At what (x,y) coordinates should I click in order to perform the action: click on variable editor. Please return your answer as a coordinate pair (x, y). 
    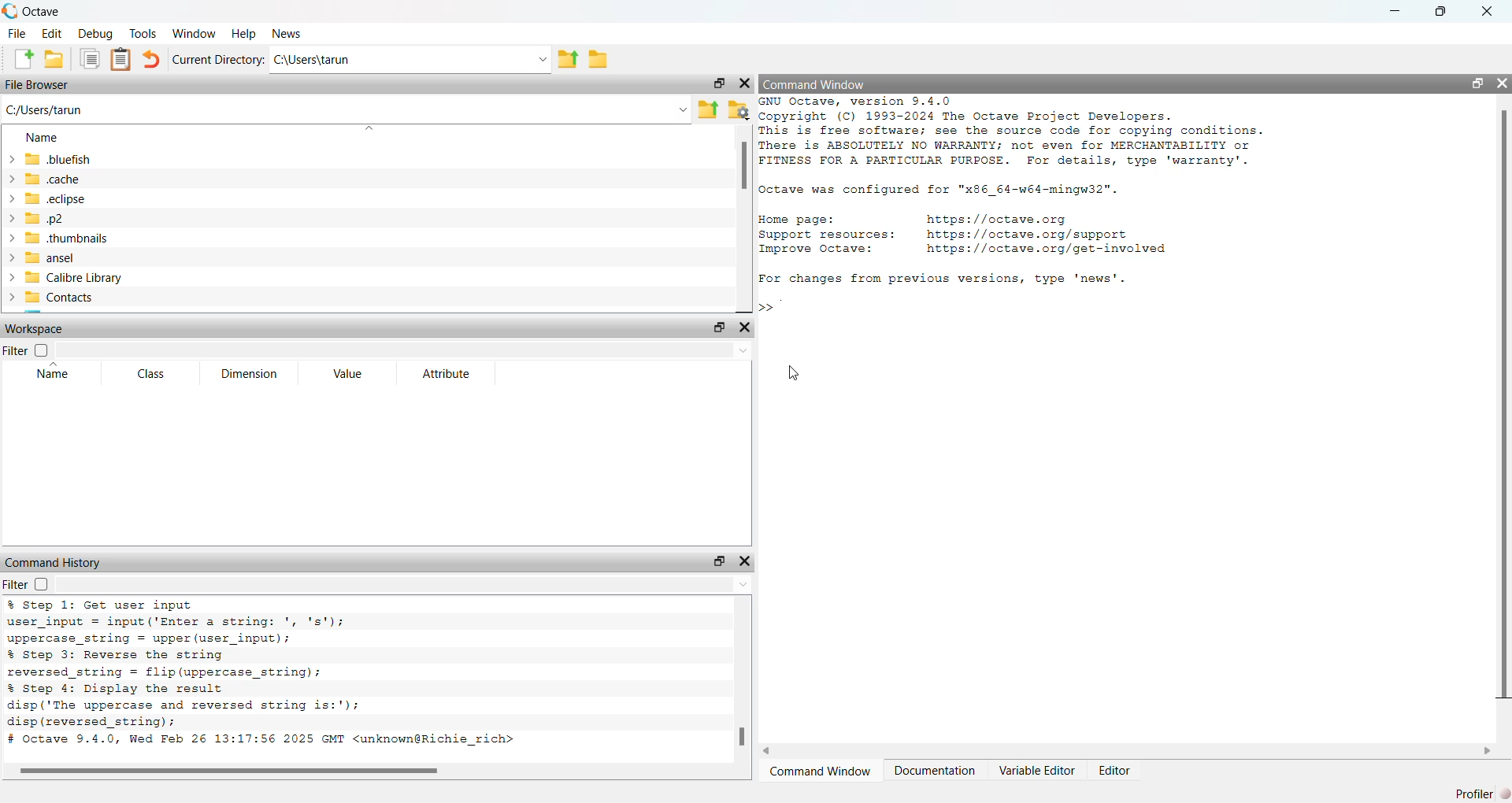
    Looking at the image, I should click on (1036, 770).